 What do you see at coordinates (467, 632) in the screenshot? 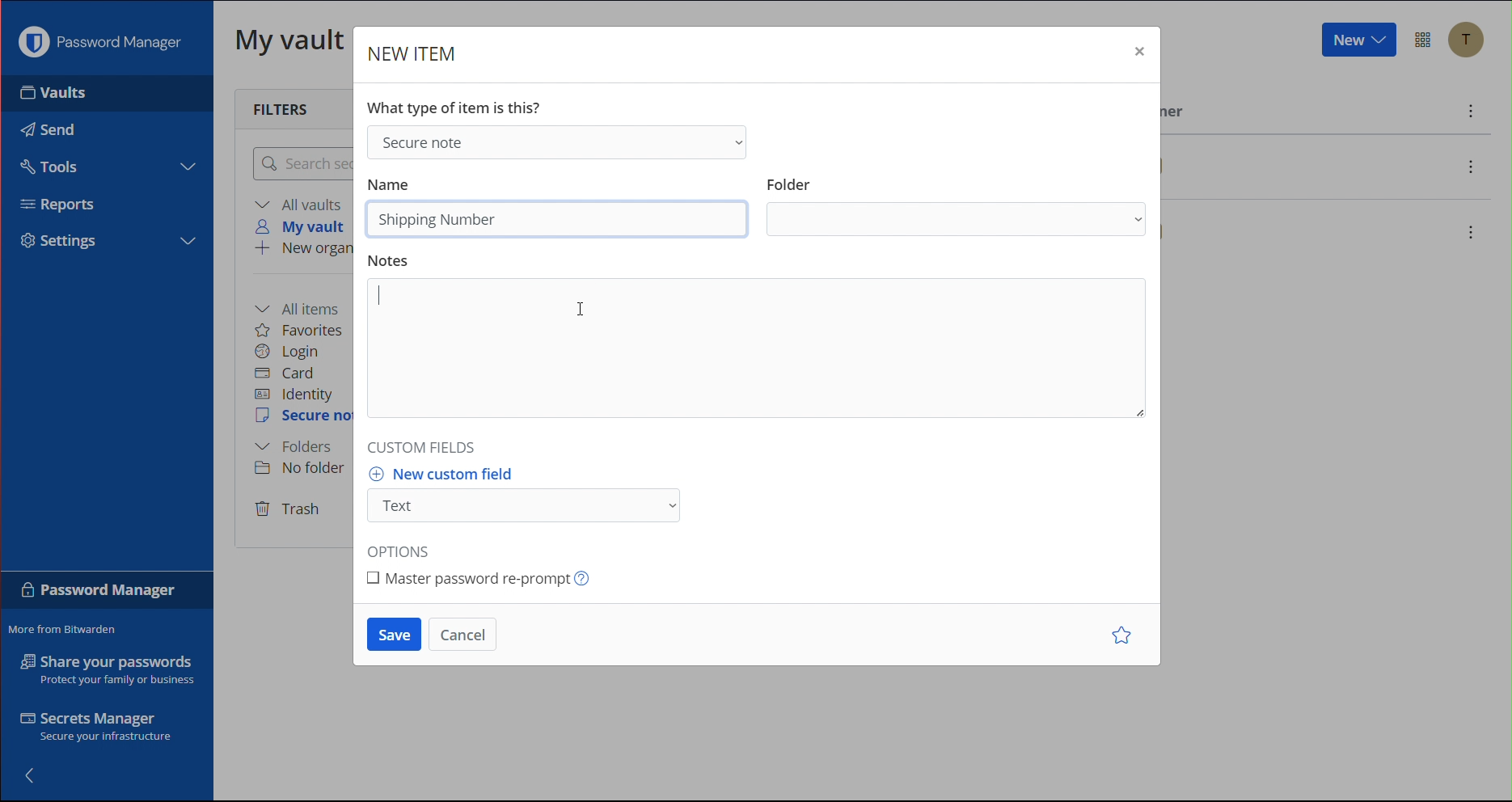
I see `Cancel` at bounding box center [467, 632].